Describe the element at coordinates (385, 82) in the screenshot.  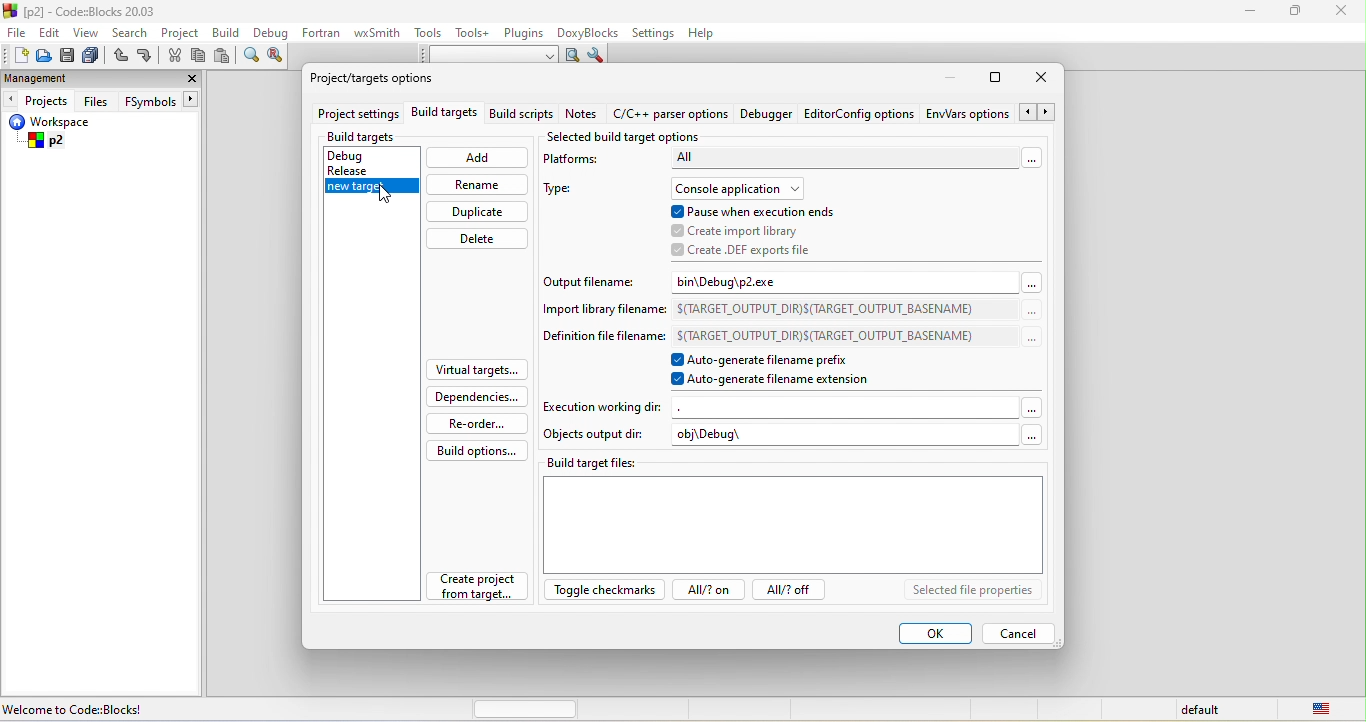
I see `project/target option` at that location.